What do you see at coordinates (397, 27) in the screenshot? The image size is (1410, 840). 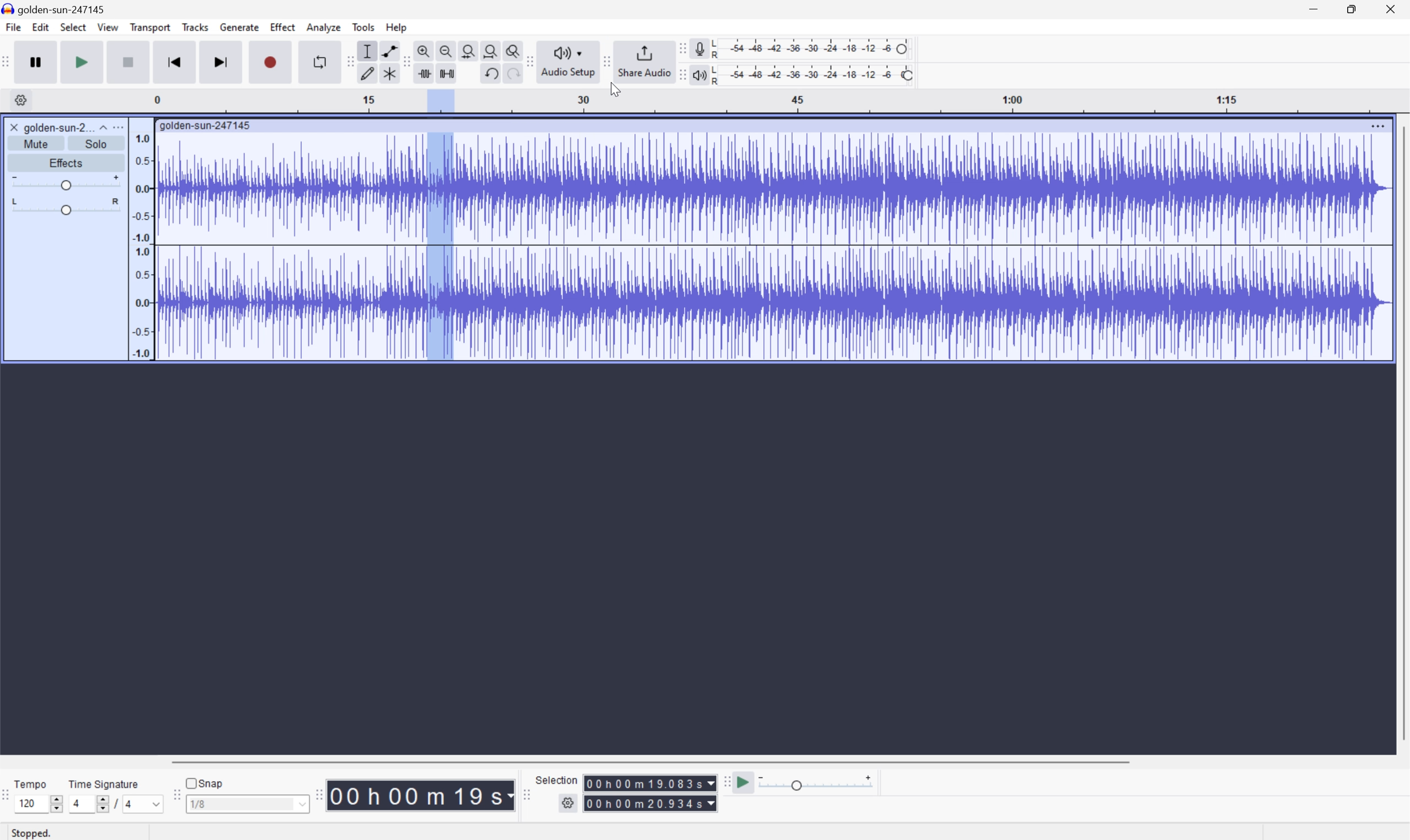 I see `Help` at bounding box center [397, 27].